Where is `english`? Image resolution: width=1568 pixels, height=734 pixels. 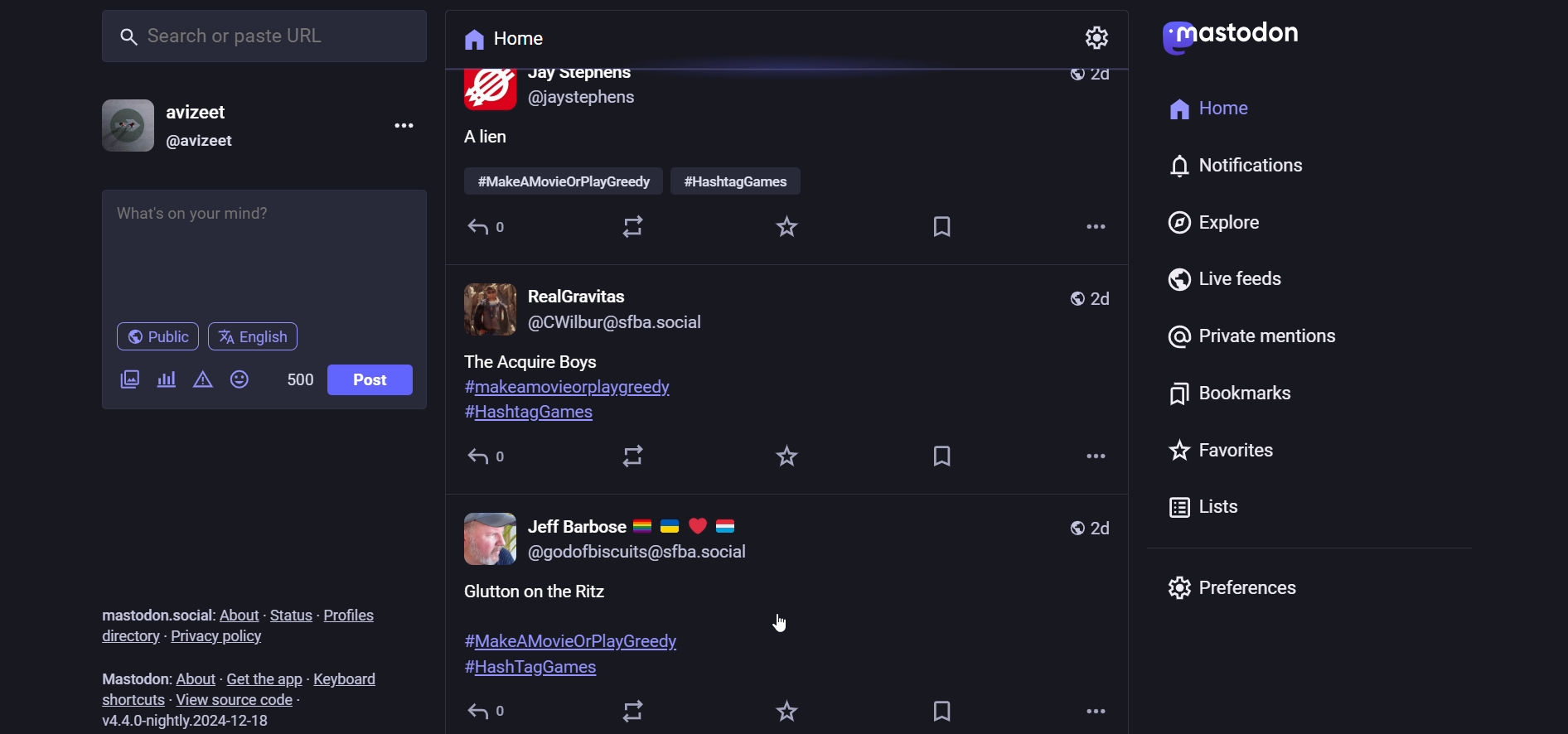 english is located at coordinates (254, 337).